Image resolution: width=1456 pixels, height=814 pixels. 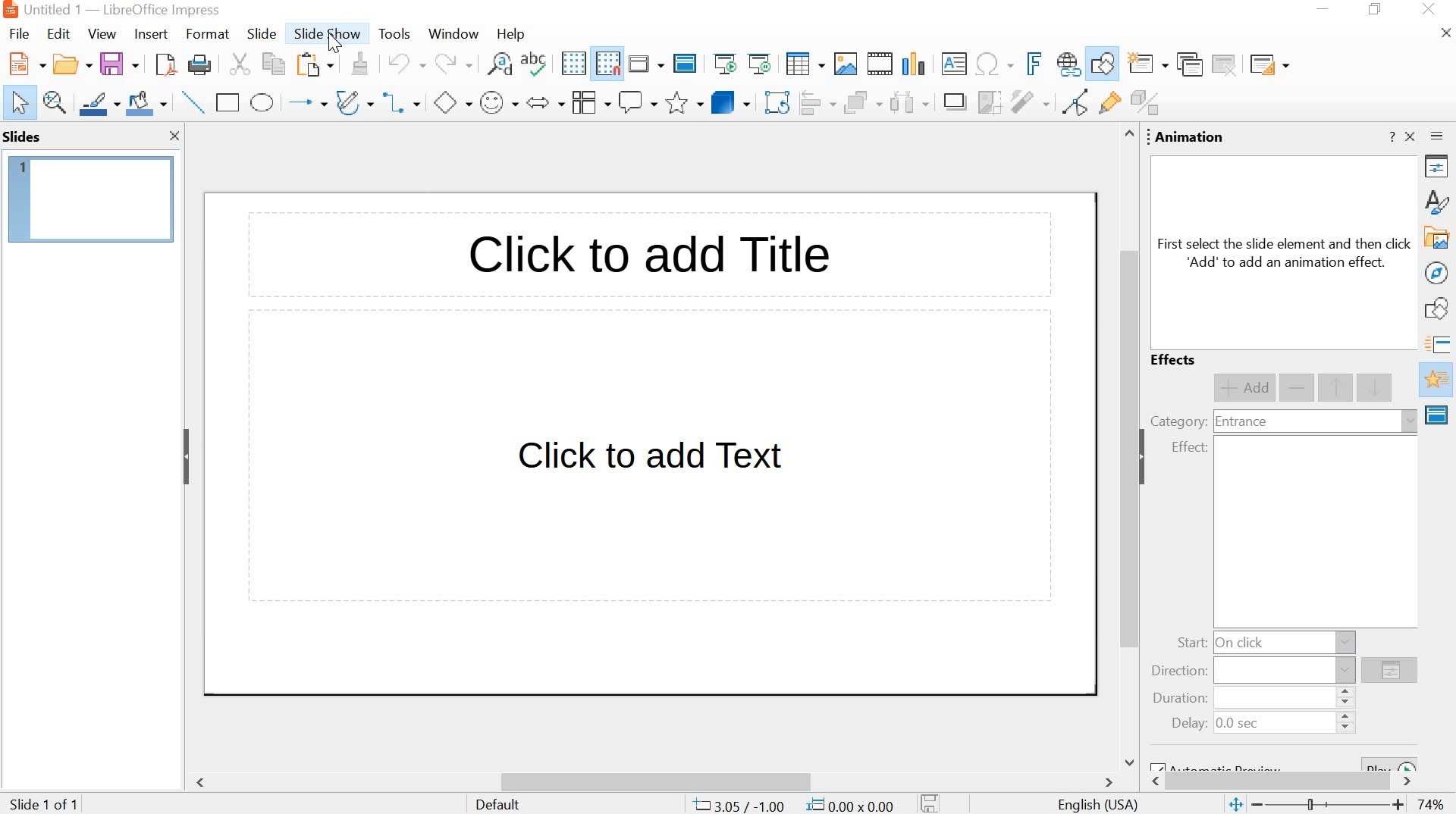 What do you see at coordinates (149, 104) in the screenshot?
I see `fill color` at bounding box center [149, 104].